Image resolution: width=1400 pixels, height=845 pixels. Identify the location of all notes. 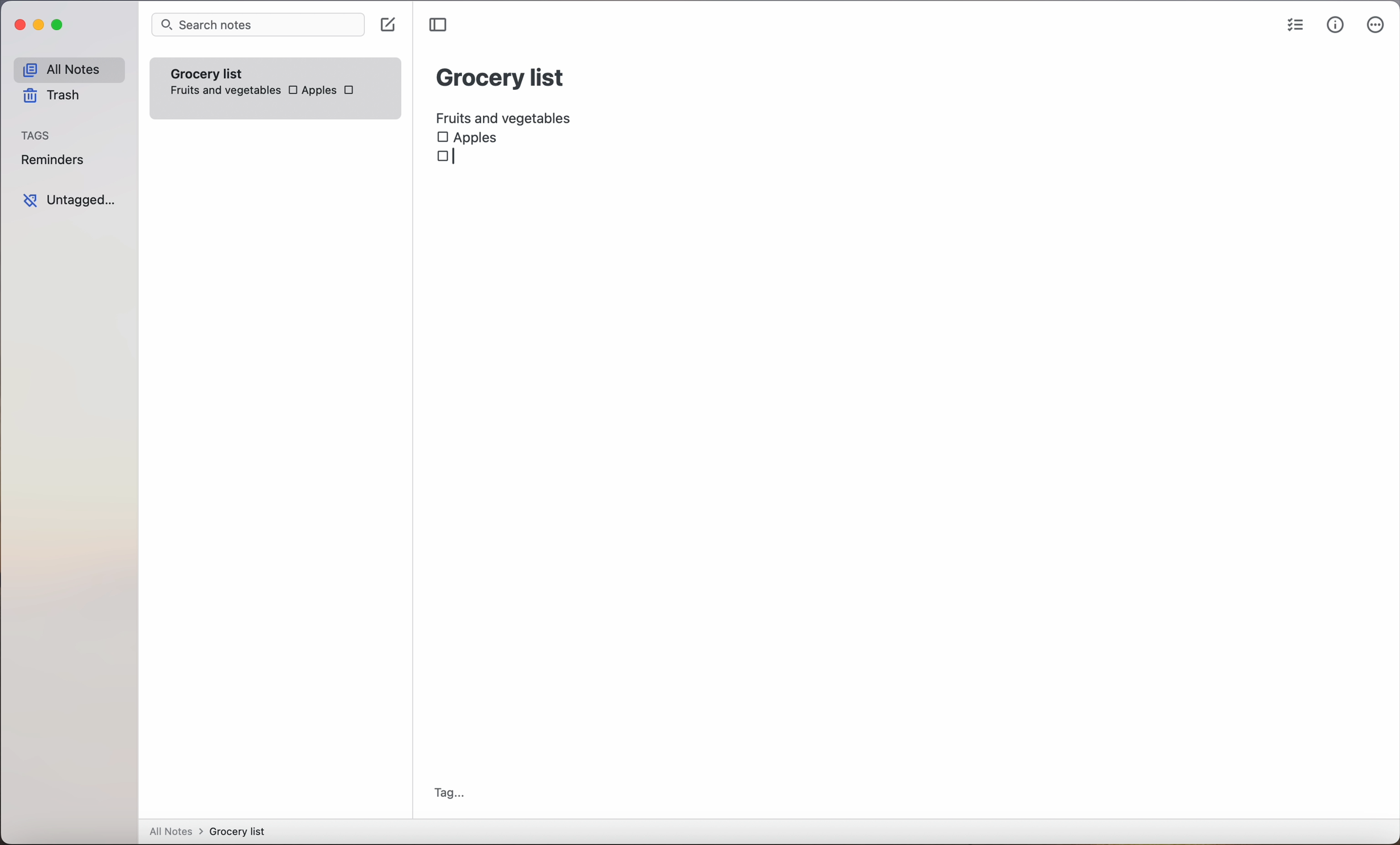
(68, 70).